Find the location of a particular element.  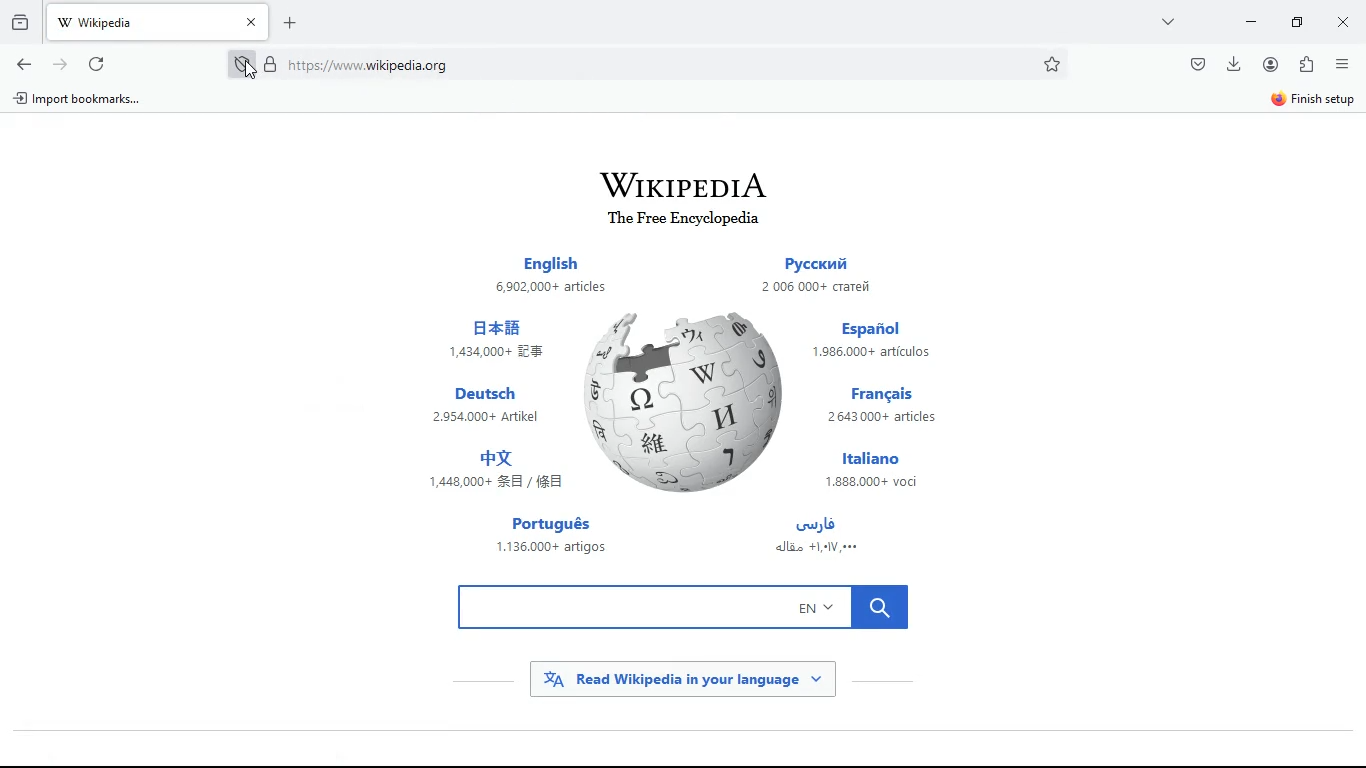

wikipedia is located at coordinates (683, 179).